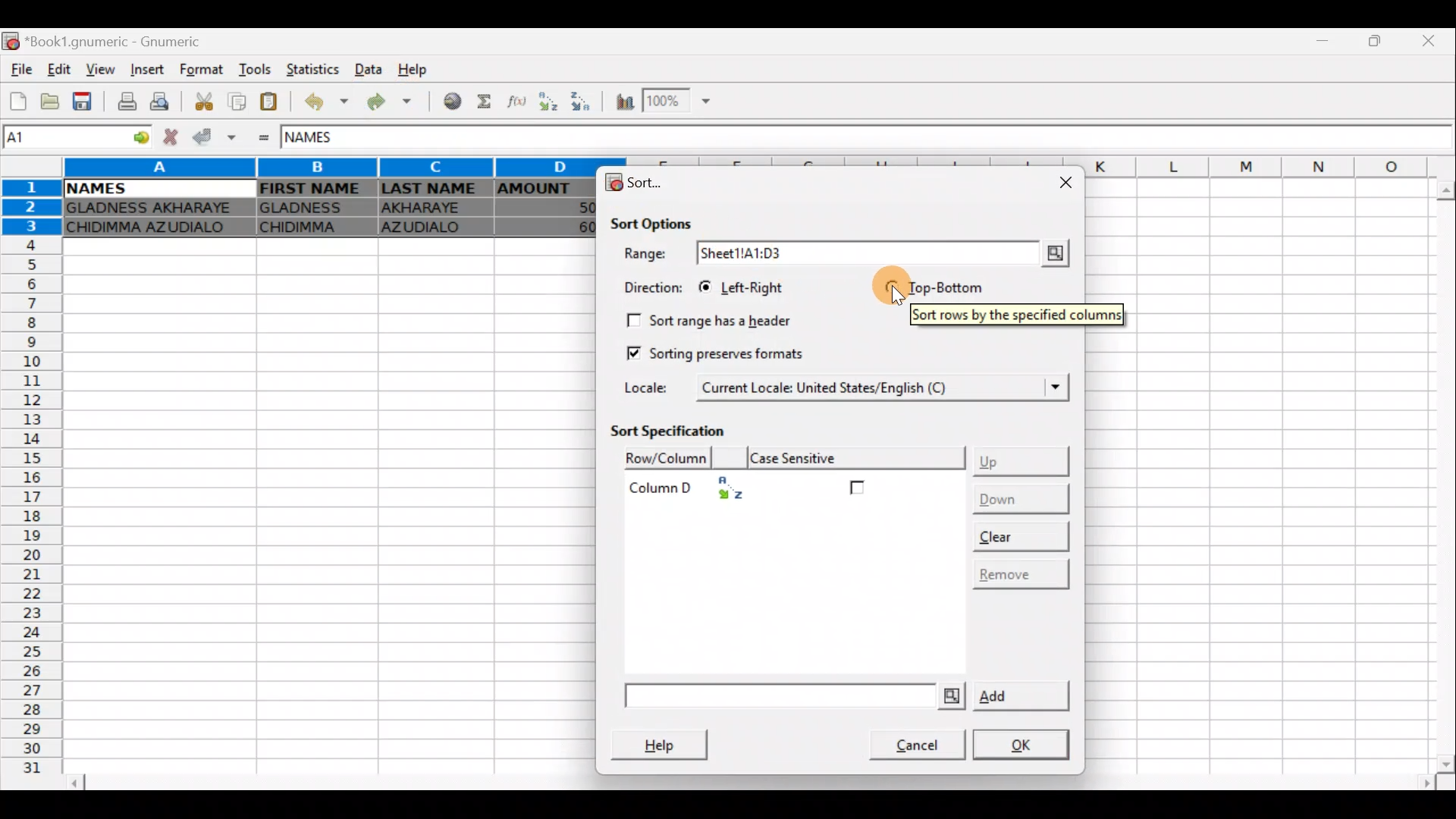 The image size is (1456, 819). Describe the element at coordinates (929, 287) in the screenshot. I see `Top-bottom` at that location.